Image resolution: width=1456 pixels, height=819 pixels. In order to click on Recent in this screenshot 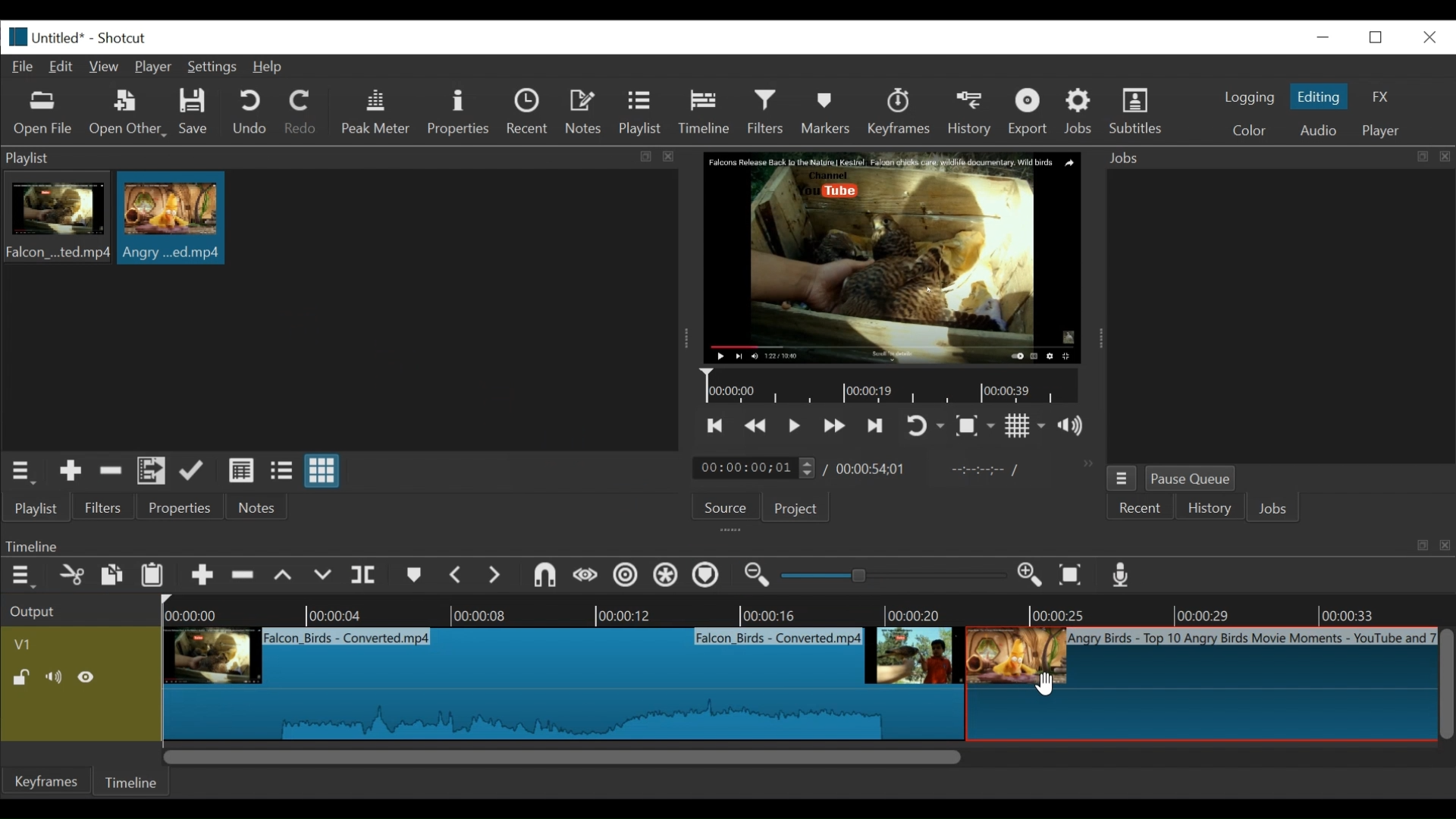, I will do `click(1141, 509)`.